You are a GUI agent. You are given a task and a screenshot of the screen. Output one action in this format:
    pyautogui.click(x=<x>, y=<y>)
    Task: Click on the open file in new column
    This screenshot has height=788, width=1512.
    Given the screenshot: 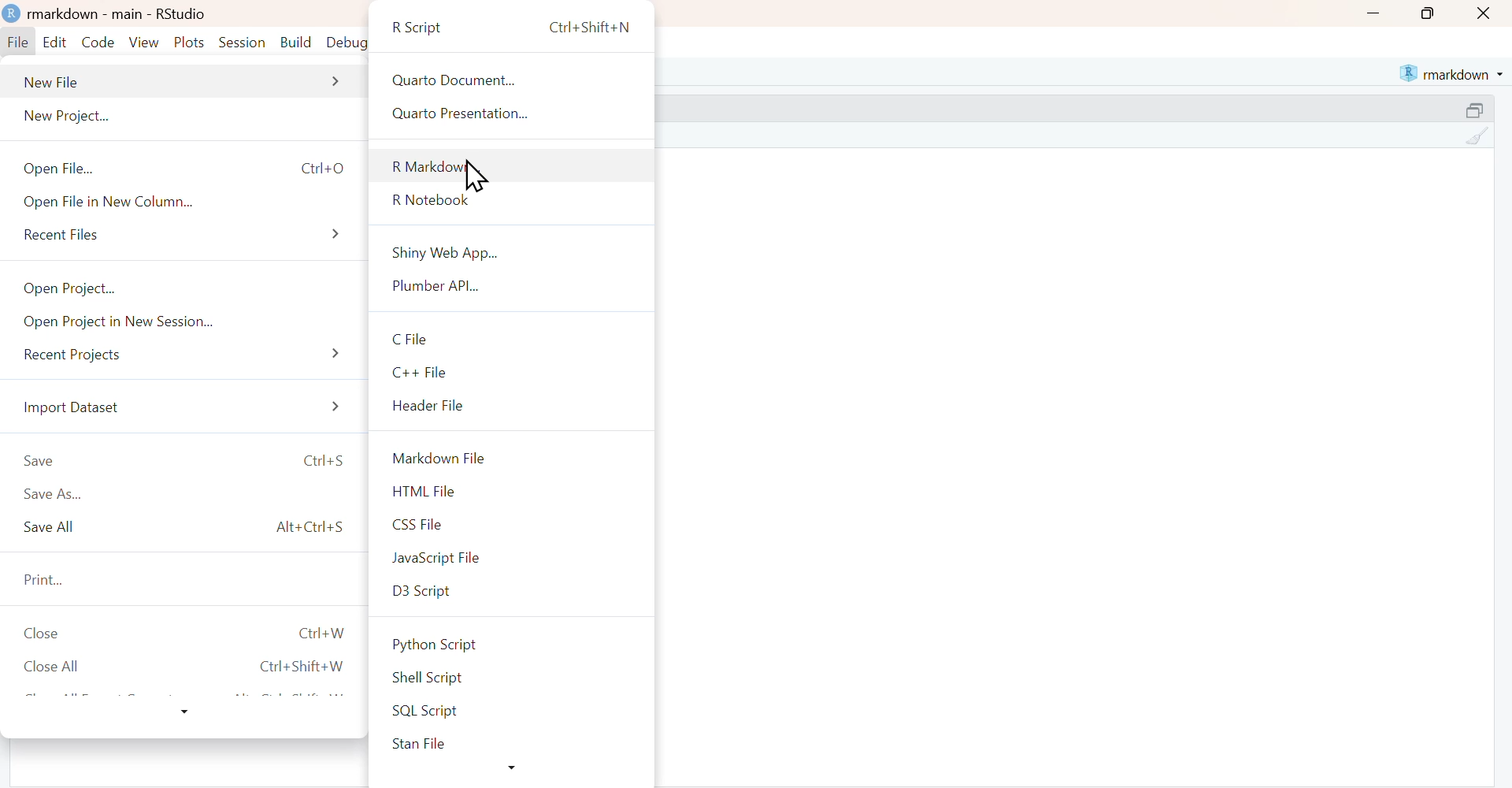 What is the action you would take?
    pyautogui.click(x=191, y=202)
    